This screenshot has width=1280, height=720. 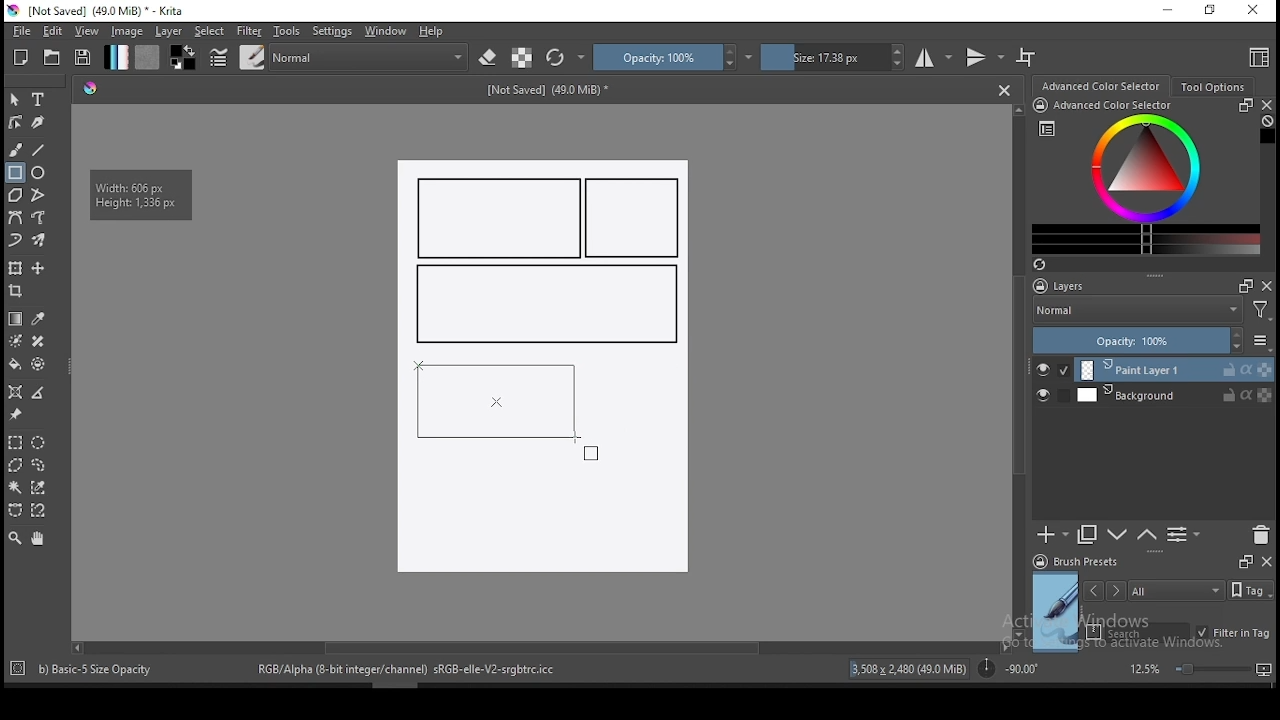 What do you see at coordinates (287, 31) in the screenshot?
I see `tools` at bounding box center [287, 31].